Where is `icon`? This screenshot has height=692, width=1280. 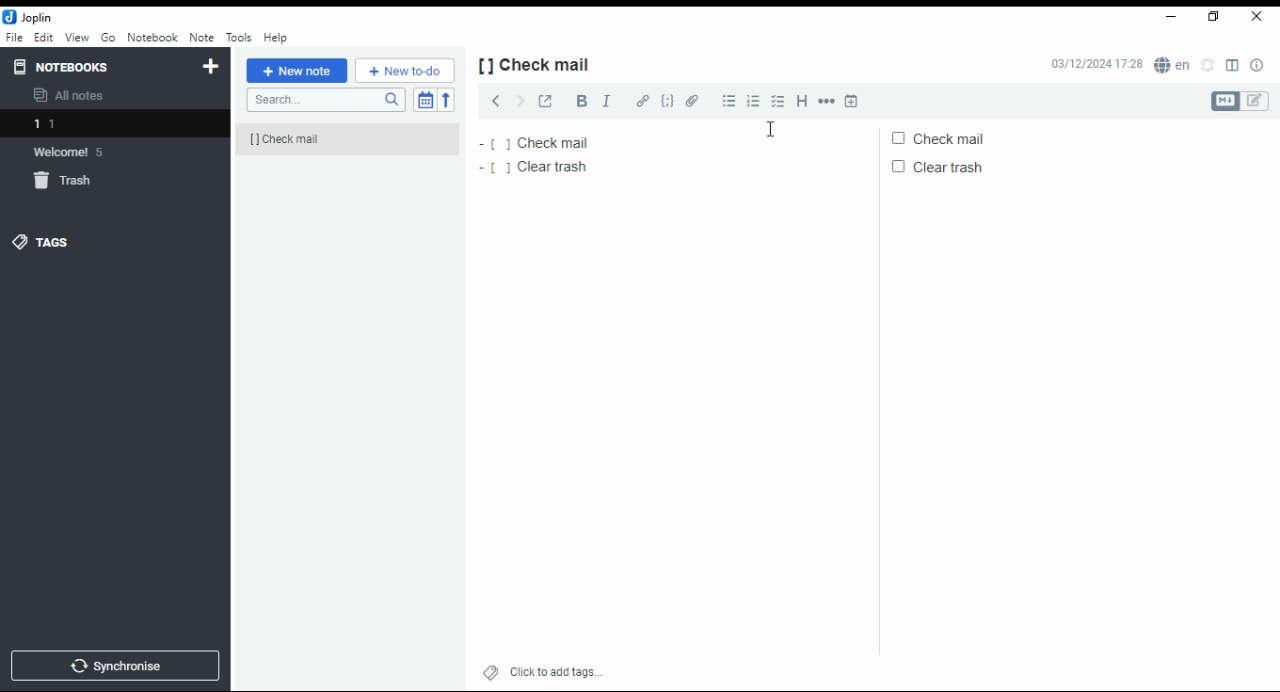 icon is located at coordinates (28, 16).